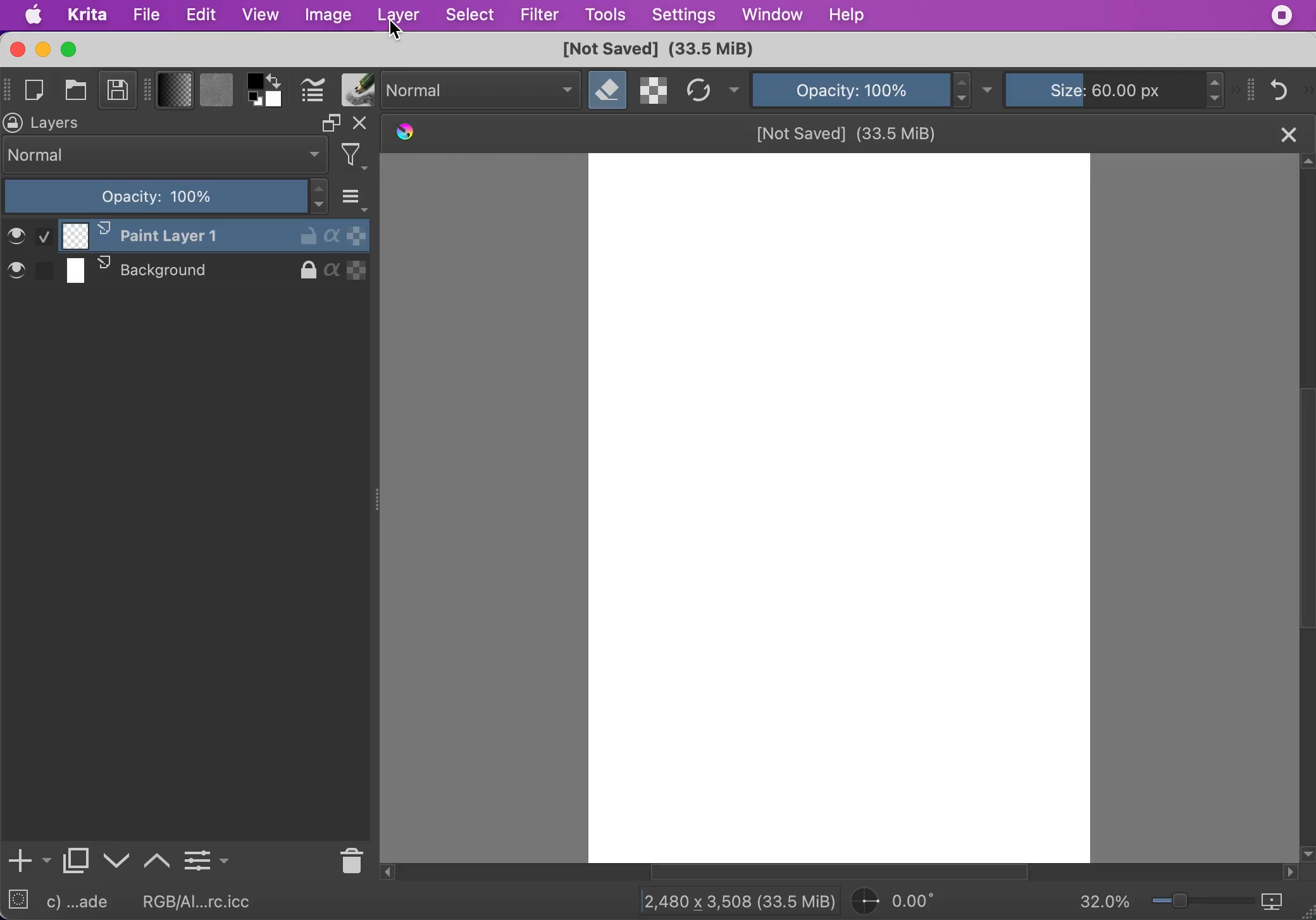 This screenshot has width=1316, height=920. What do you see at coordinates (835, 508) in the screenshot?
I see `canvas` at bounding box center [835, 508].